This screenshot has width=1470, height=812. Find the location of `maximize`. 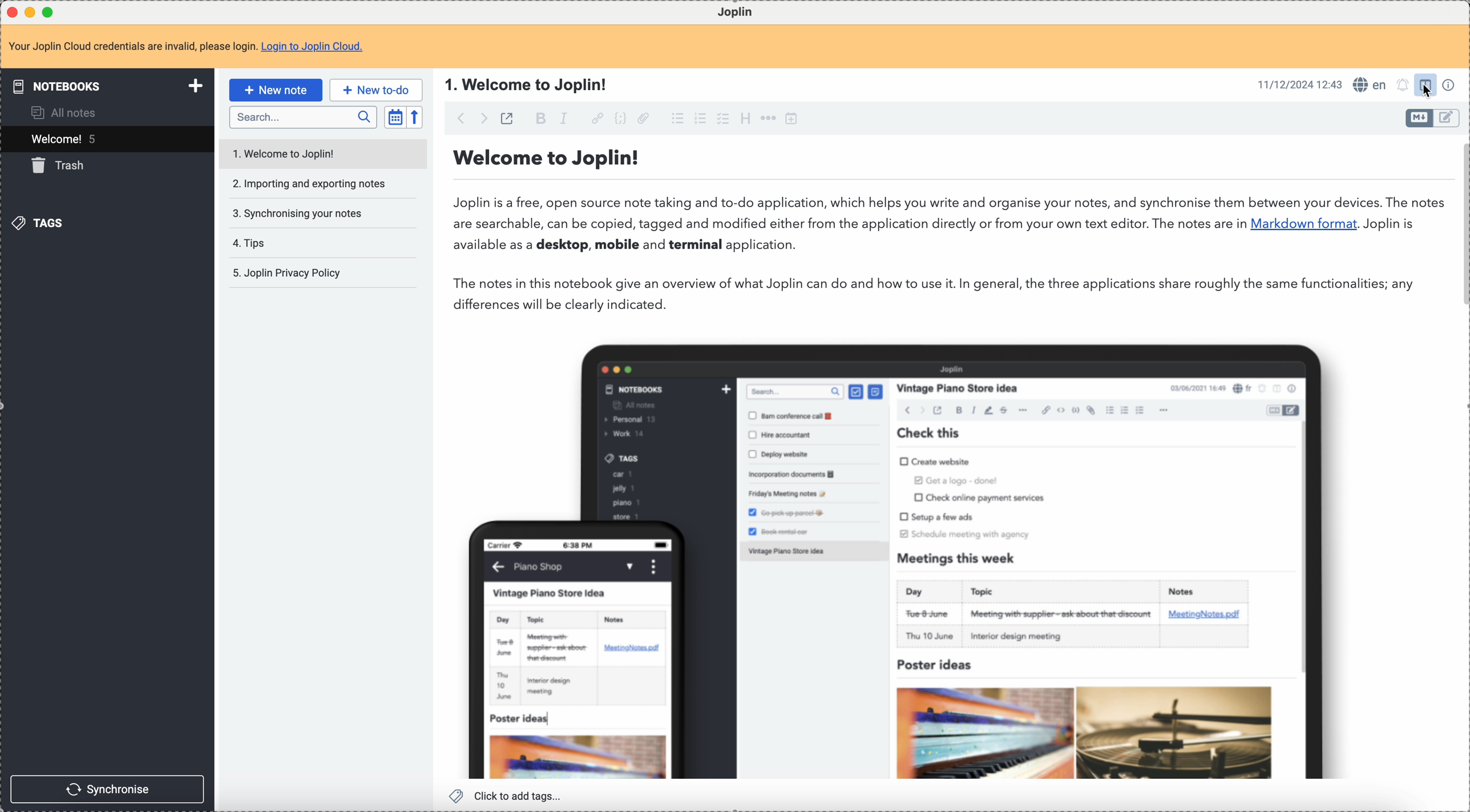

maximize is located at coordinates (50, 13).